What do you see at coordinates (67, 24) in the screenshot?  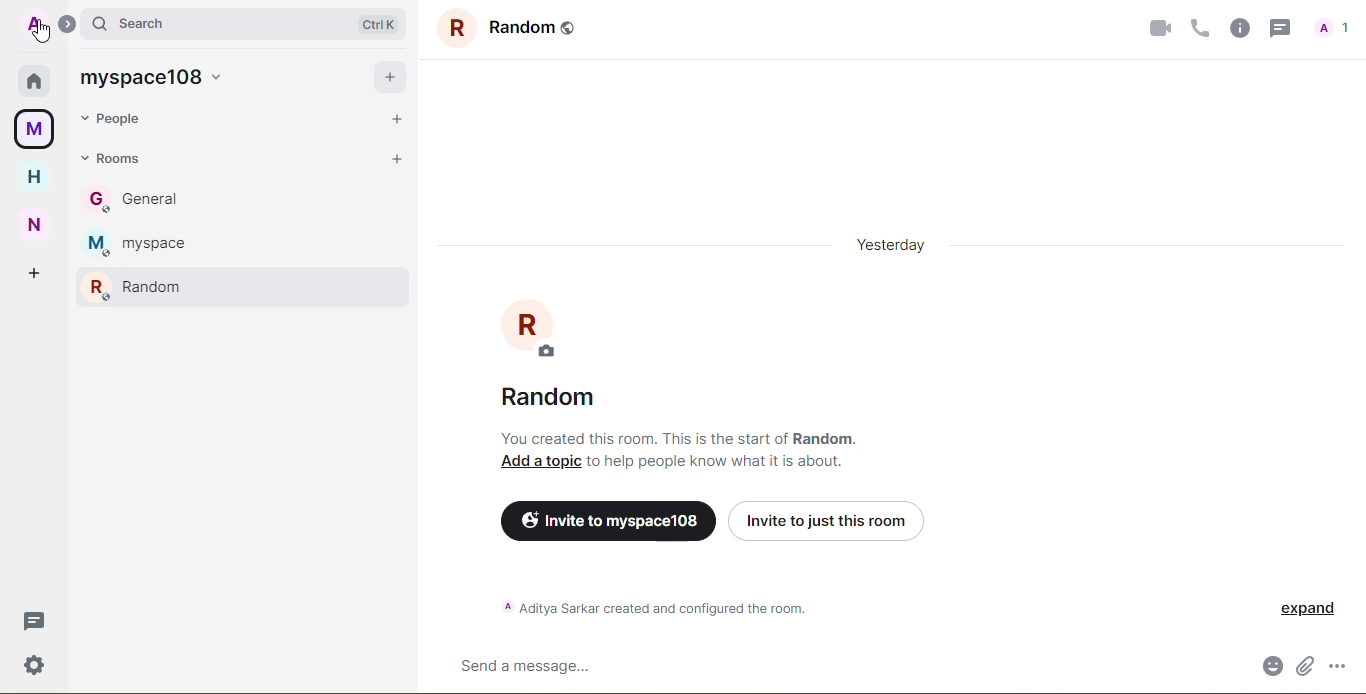 I see `expand` at bounding box center [67, 24].